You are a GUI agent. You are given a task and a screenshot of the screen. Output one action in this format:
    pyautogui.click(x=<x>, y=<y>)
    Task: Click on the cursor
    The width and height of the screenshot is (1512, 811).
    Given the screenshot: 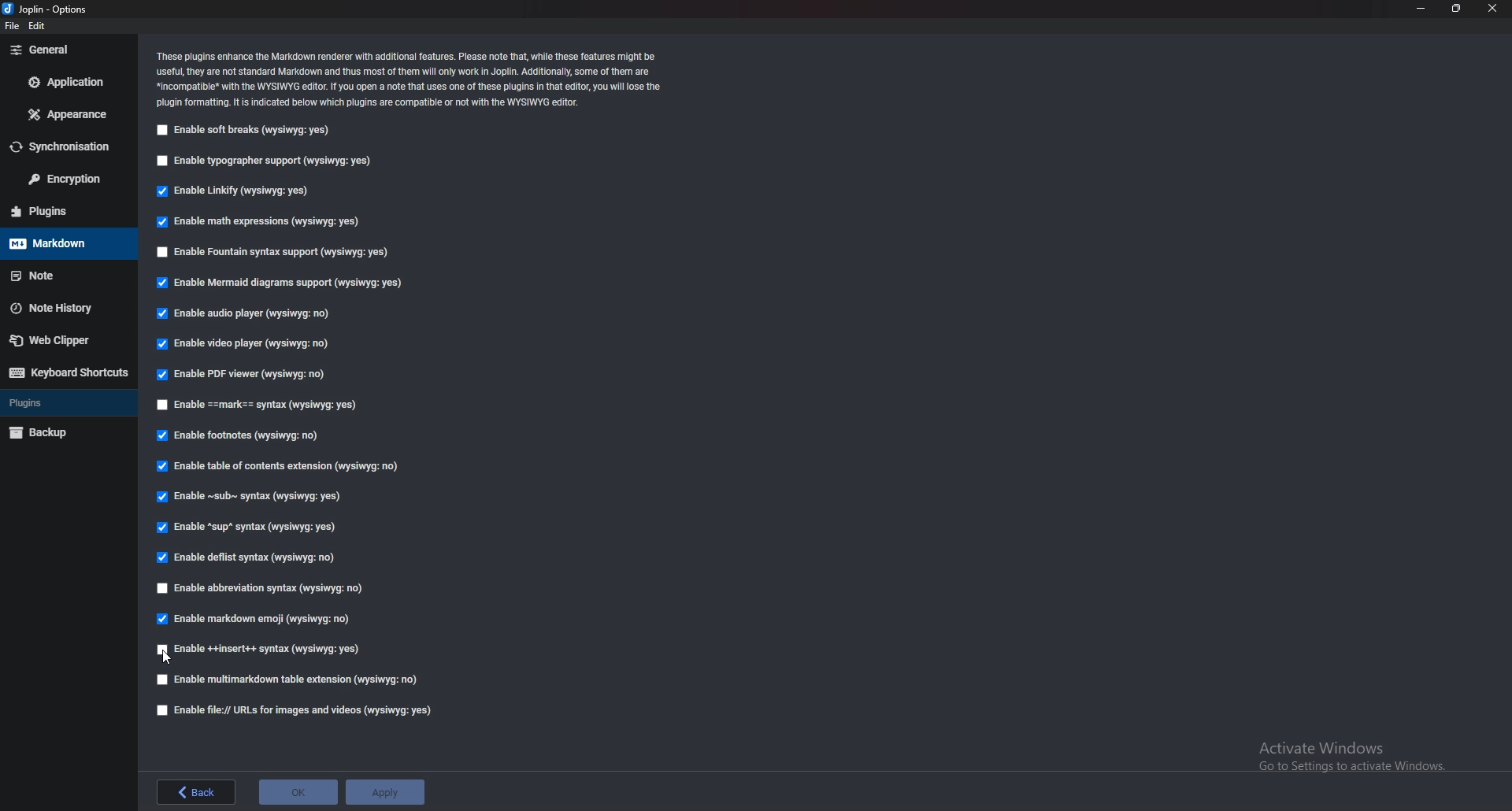 What is the action you would take?
    pyautogui.click(x=166, y=657)
    